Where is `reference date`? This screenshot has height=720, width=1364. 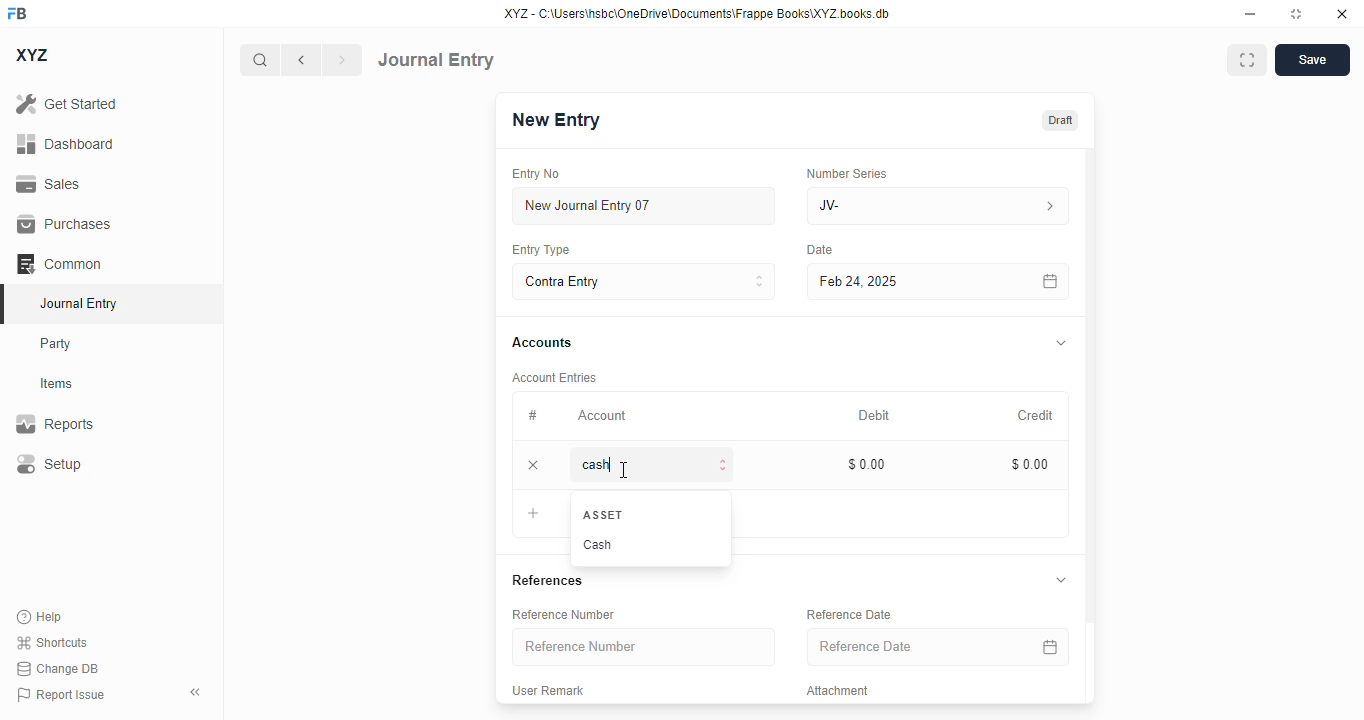
reference date is located at coordinates (899, 647).